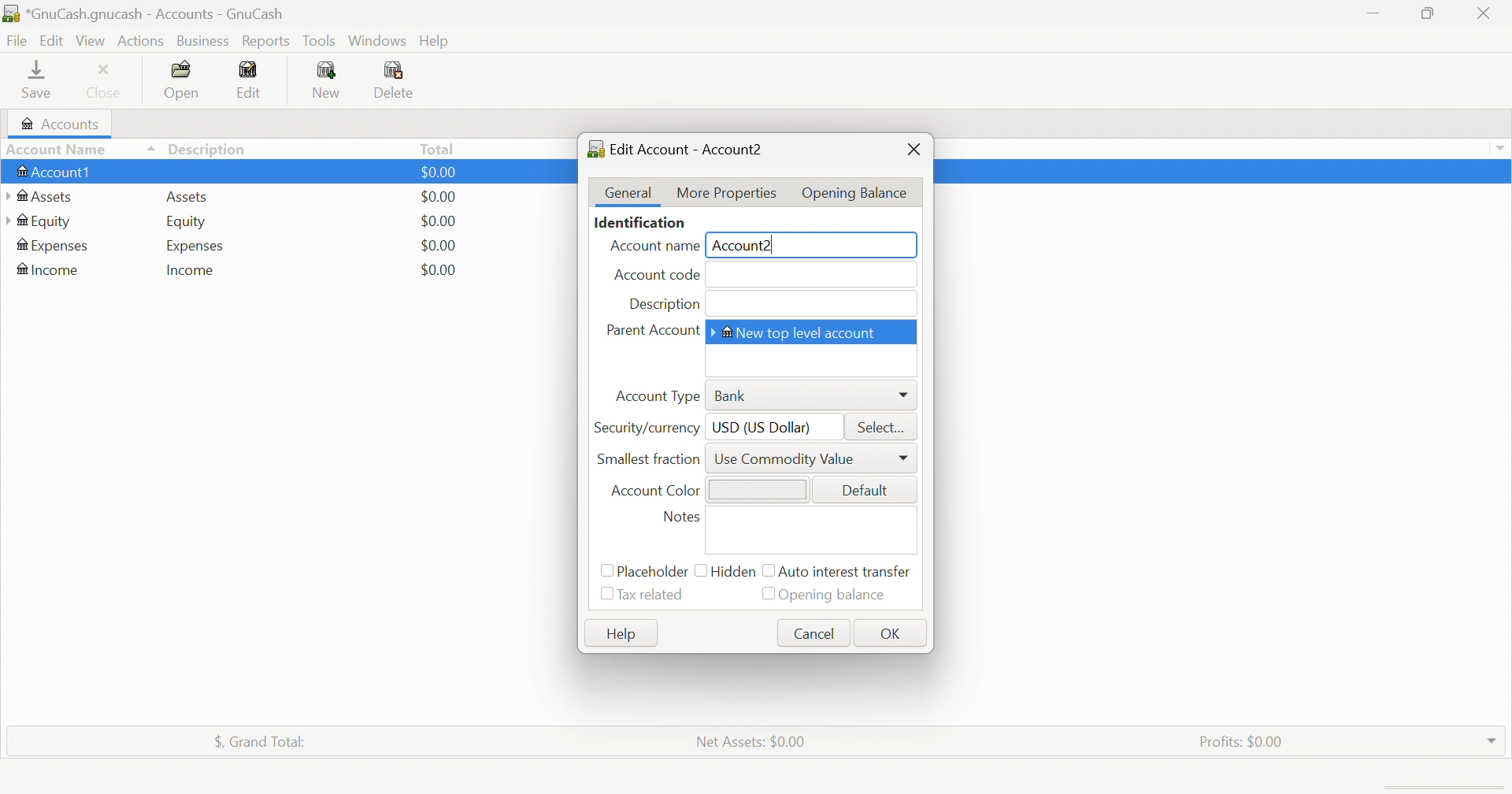 The width and height of the screenshot is (1512, 794). I want to click on Delete, so click(398, 80).